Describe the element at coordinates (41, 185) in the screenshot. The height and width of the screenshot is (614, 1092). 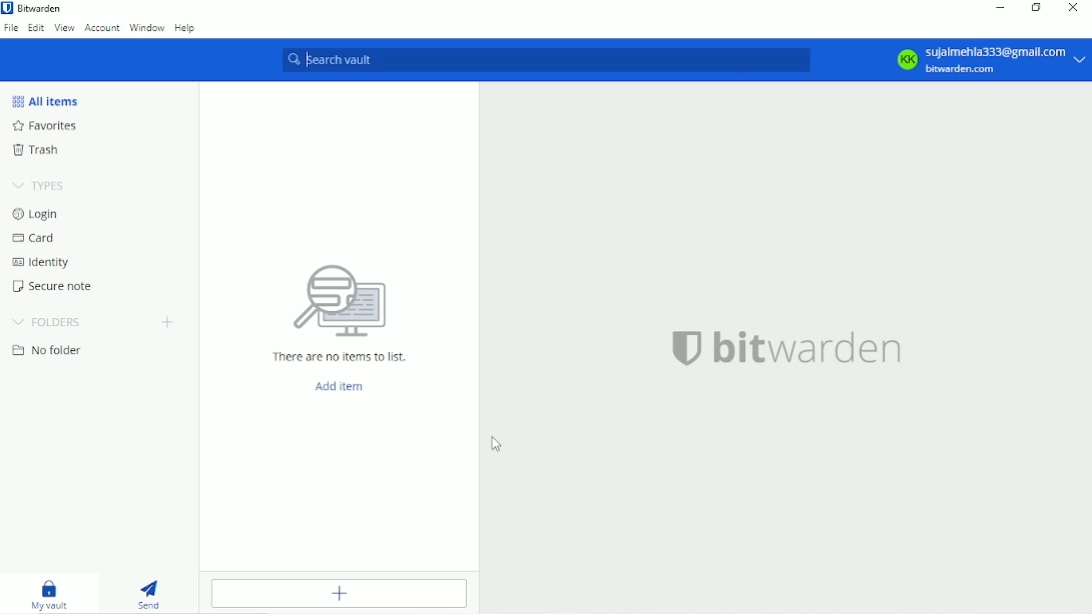
I see `Types` at that location.